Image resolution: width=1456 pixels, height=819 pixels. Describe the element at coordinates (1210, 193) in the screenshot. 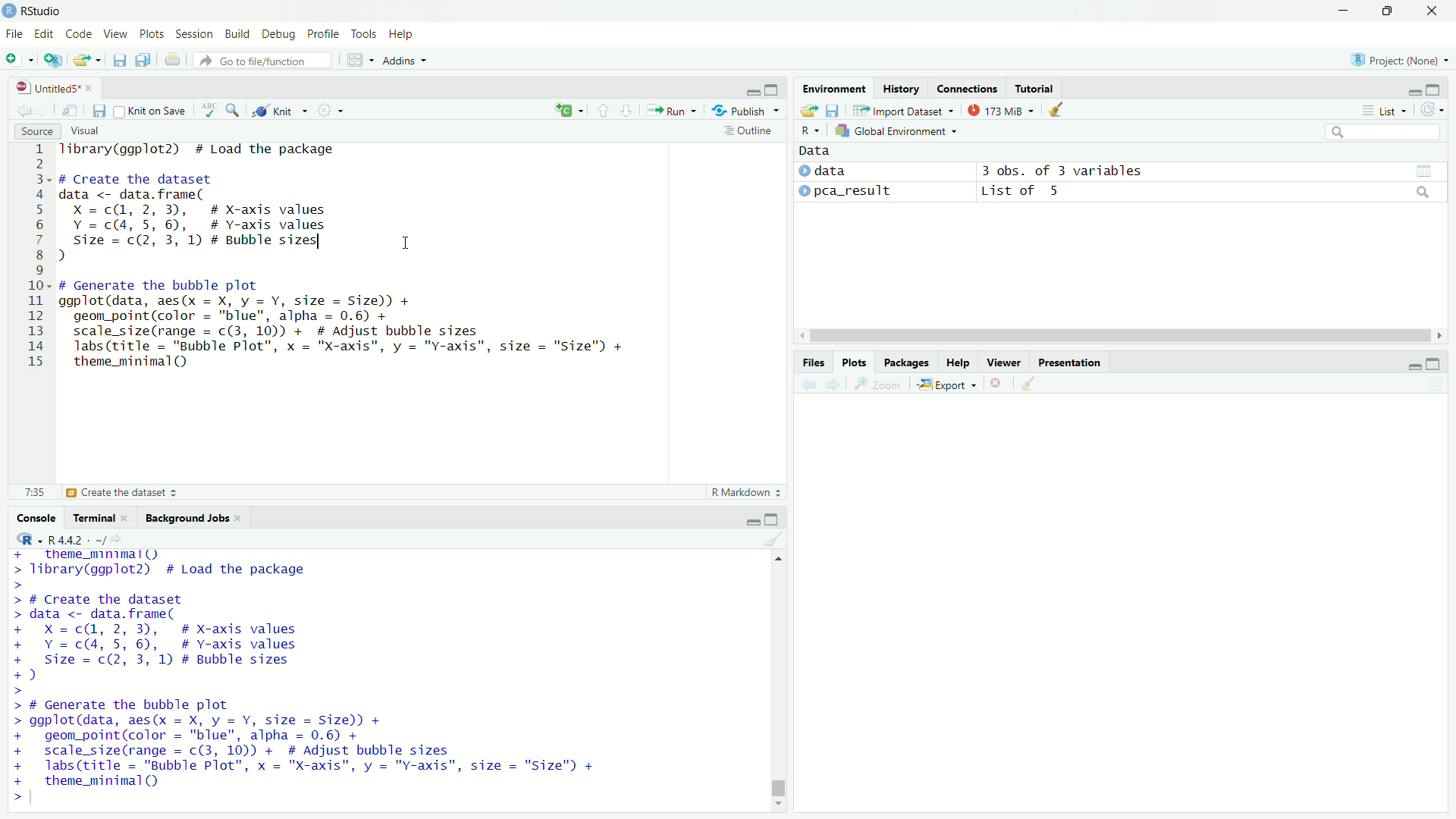

I see `data2 : list of 5` at that location.